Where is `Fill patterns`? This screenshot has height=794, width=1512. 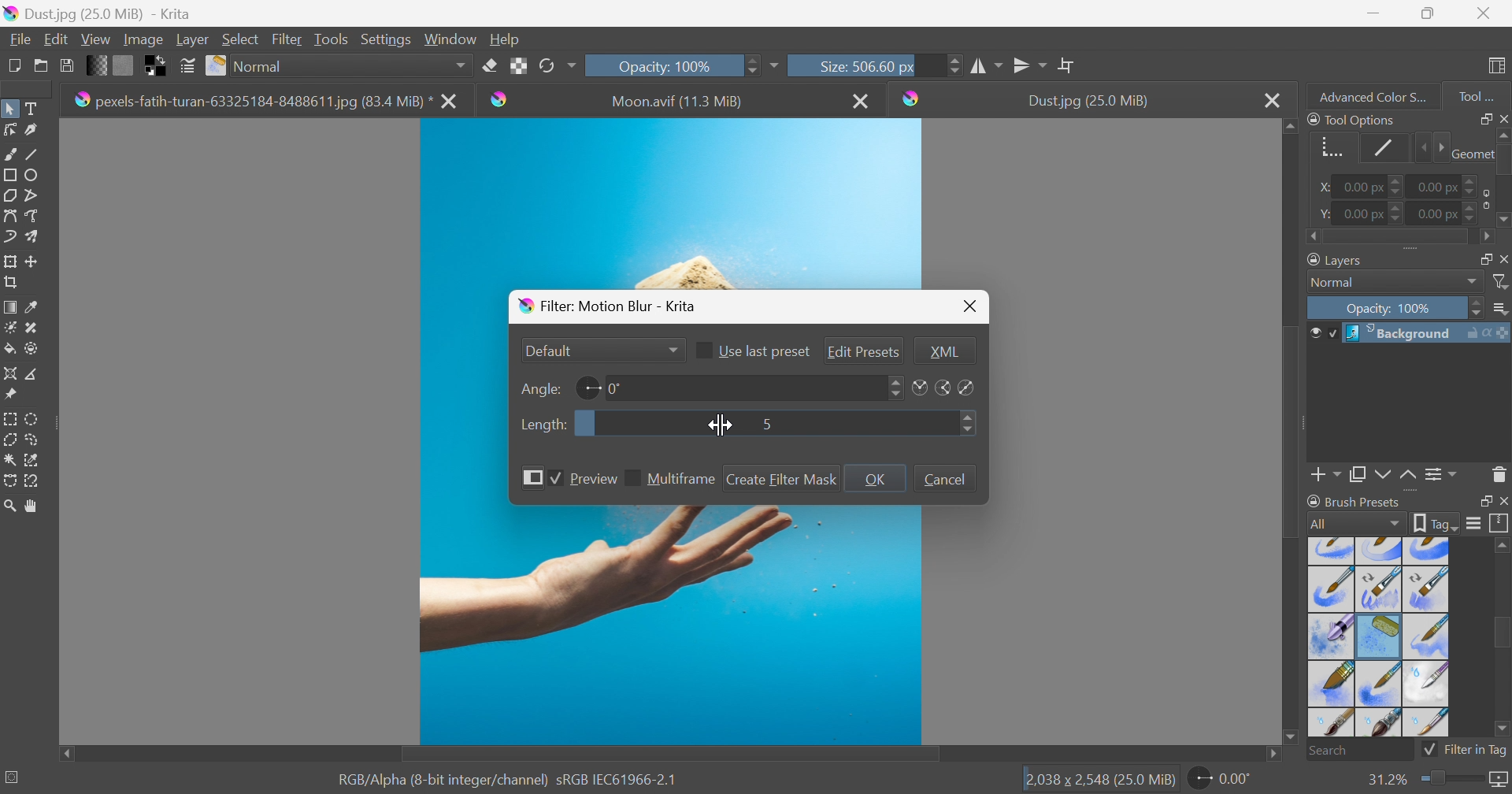
Fill patterns is located at coordinates (124, 64).